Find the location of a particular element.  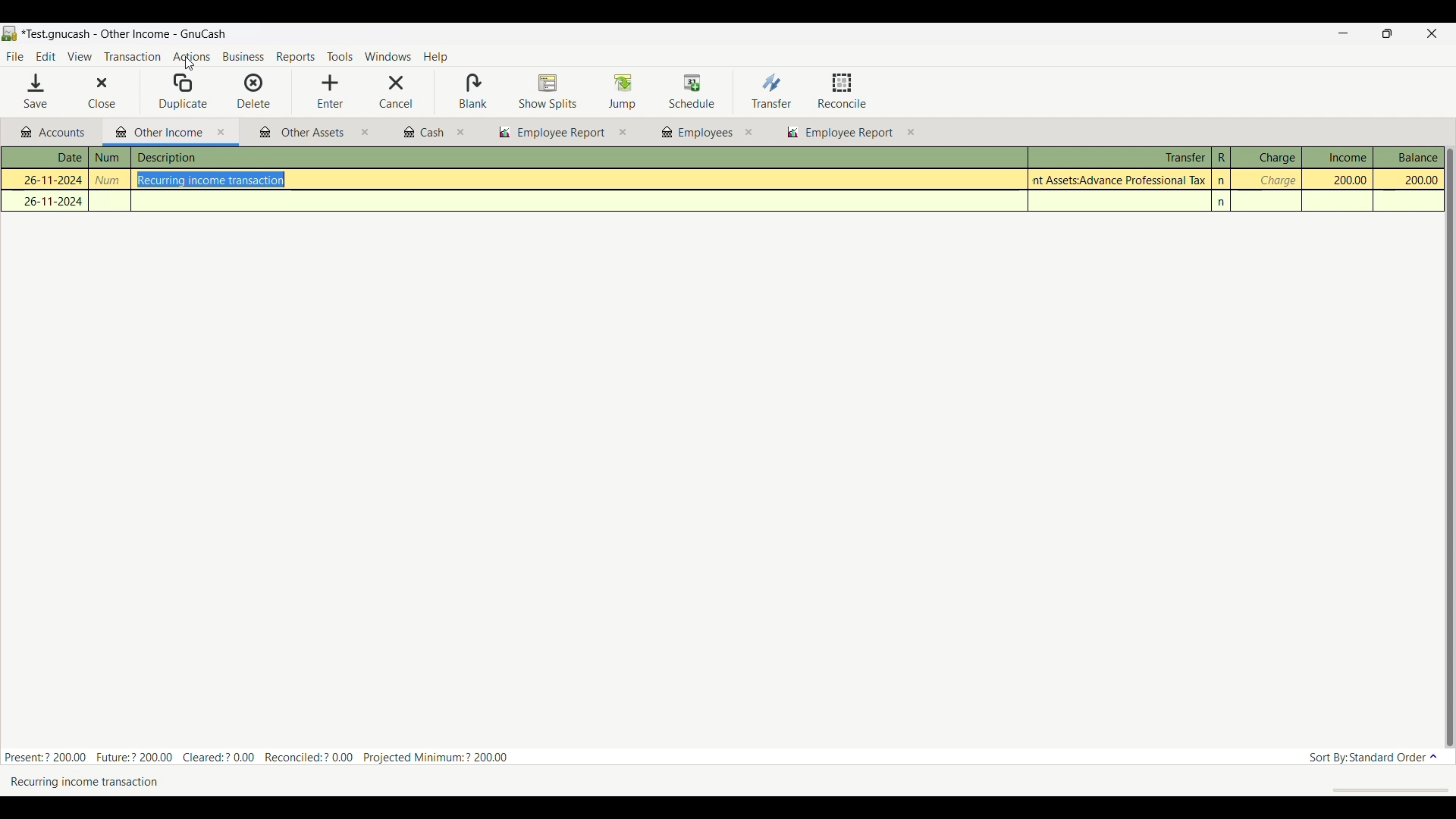

View menu is located at coordinates (79, 57).